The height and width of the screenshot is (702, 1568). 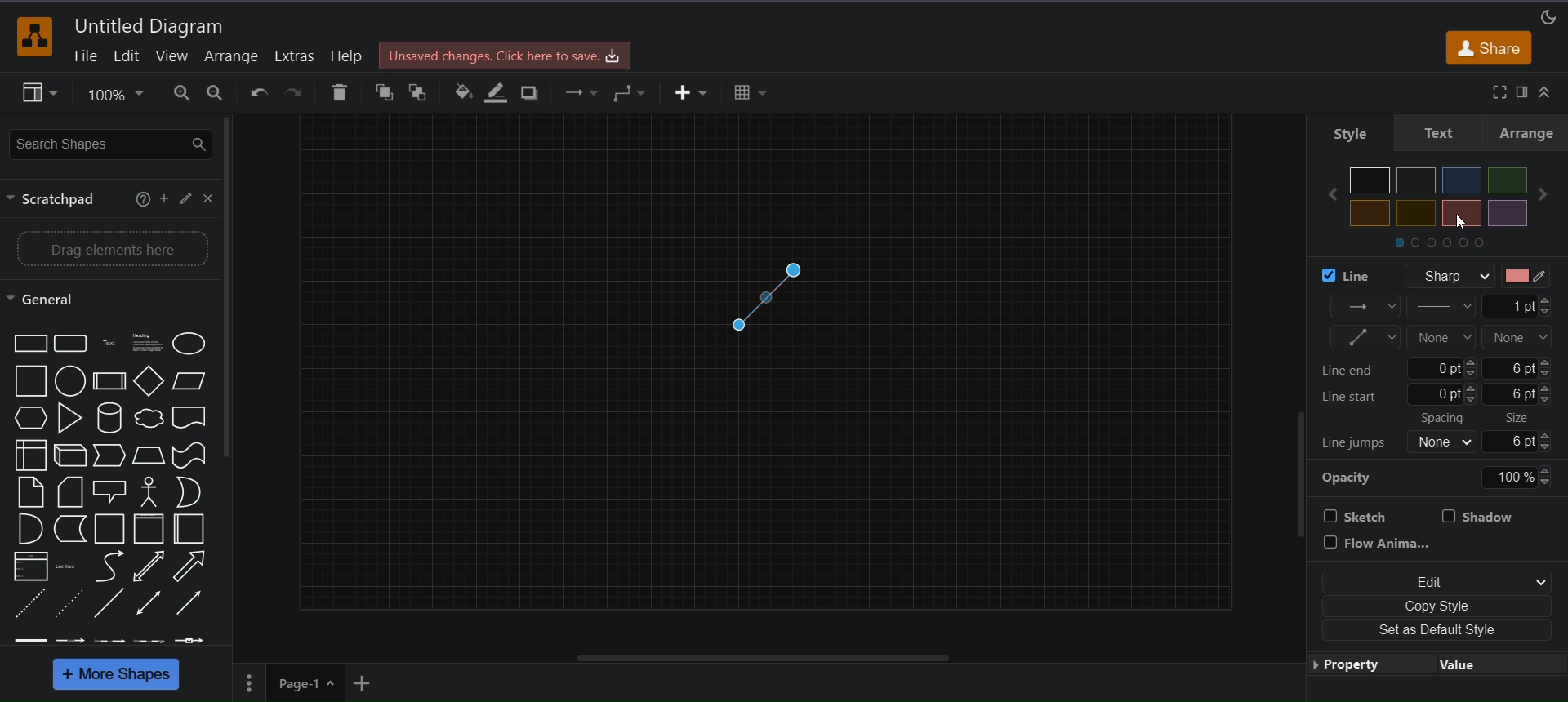 What do you see at coordinates (1547, 17) in the screenshot?
I see `appearance` at bounding box center [1547, 17].